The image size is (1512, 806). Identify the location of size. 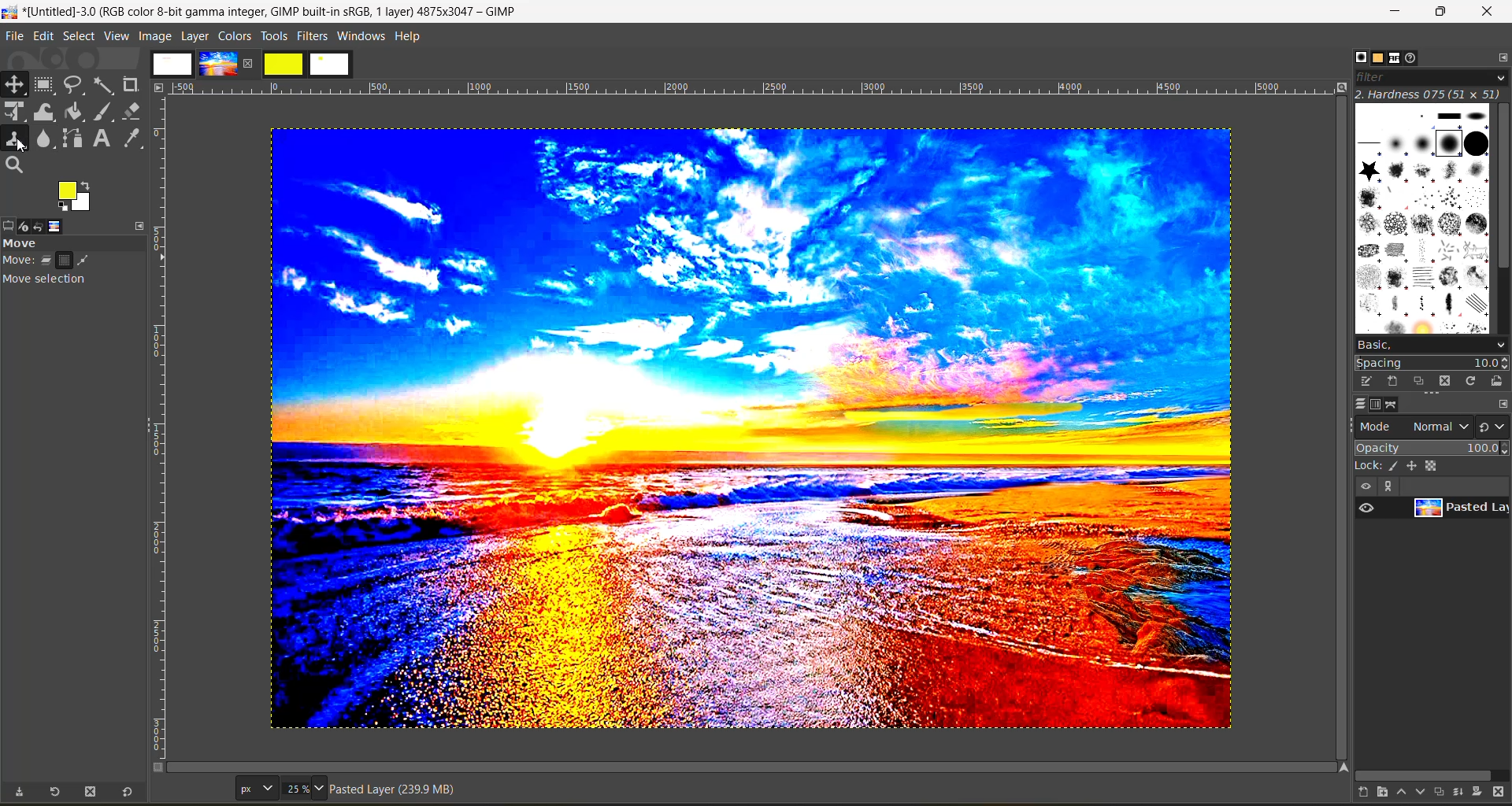
(303, 788).